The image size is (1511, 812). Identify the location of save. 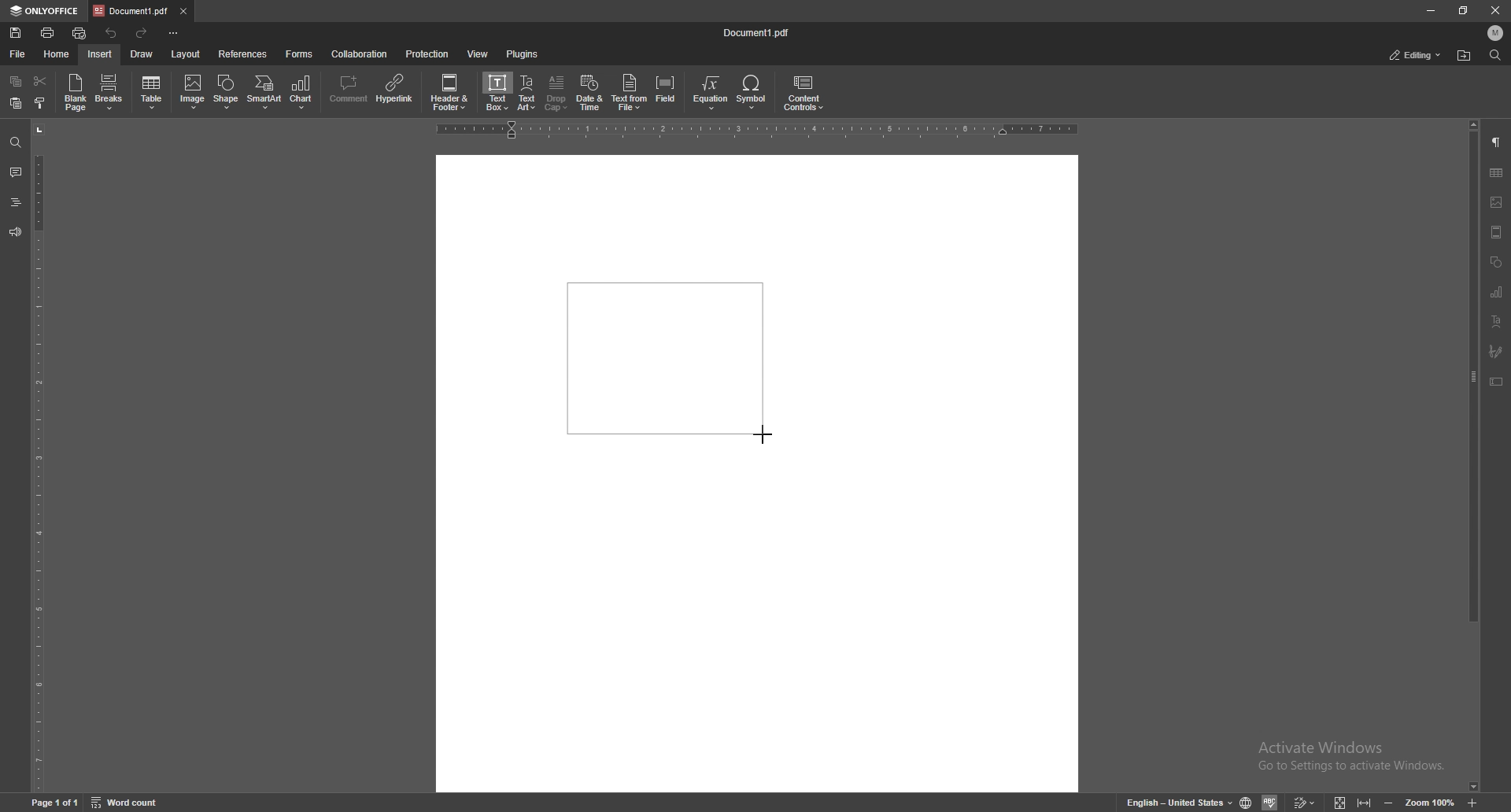
(15, 33).